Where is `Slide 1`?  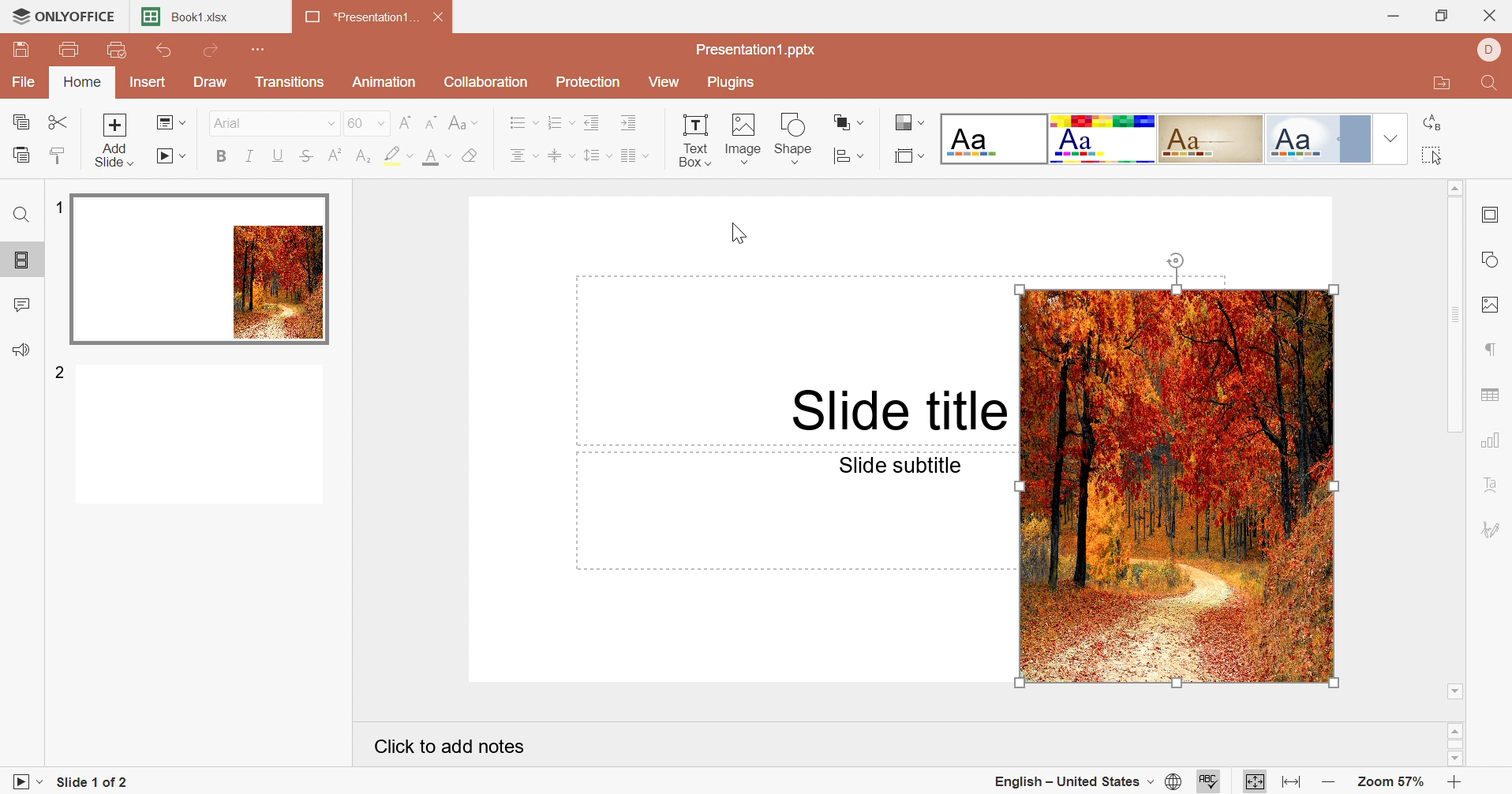 Slide 1 is located at coordinates (201, 271).